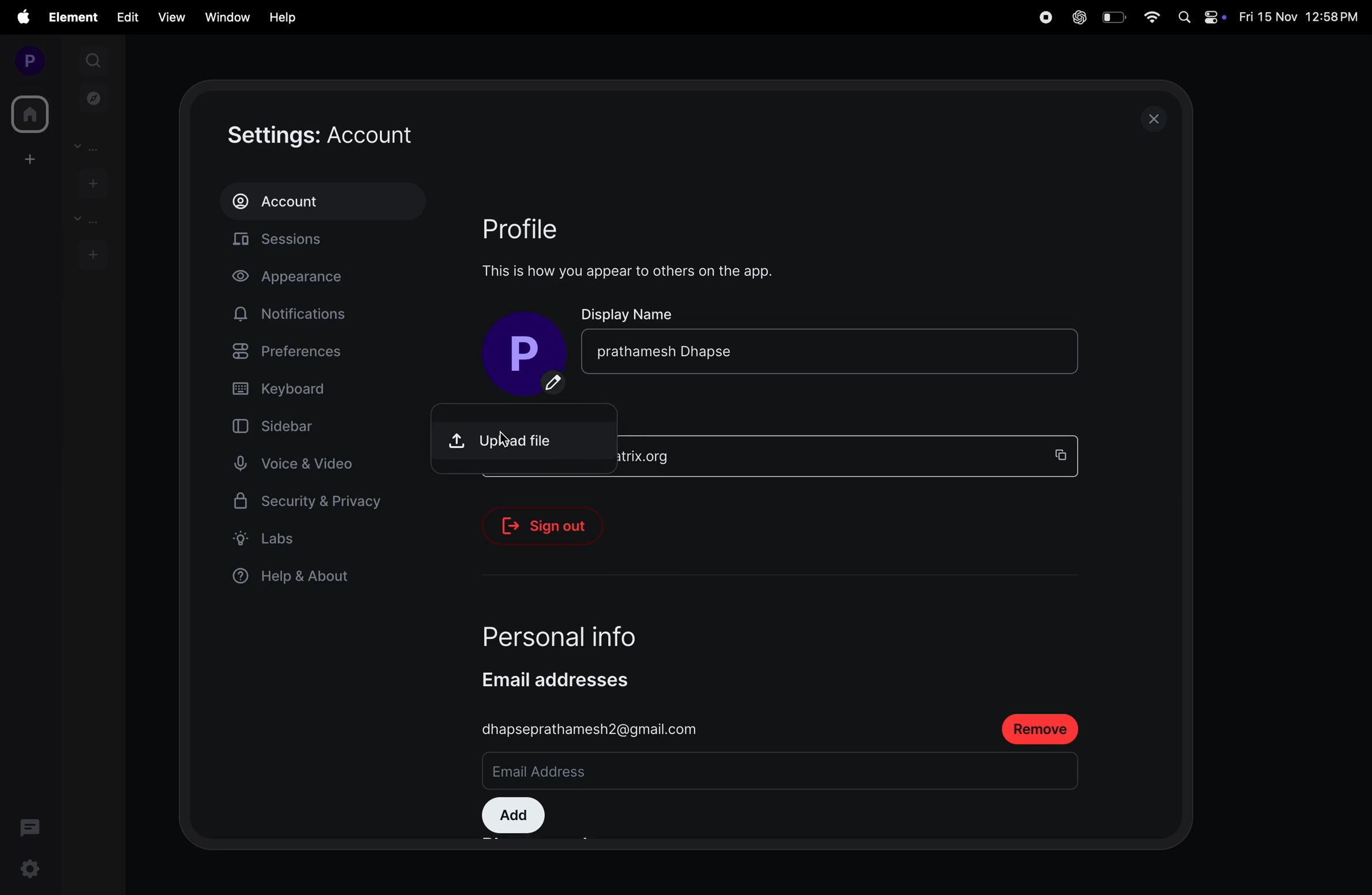 The width and height of the screenshot is (1372, 895). What do you see at coordinates (316, 389) in the screenshot?
I see `keyboard` at bounding box center [316, 389].